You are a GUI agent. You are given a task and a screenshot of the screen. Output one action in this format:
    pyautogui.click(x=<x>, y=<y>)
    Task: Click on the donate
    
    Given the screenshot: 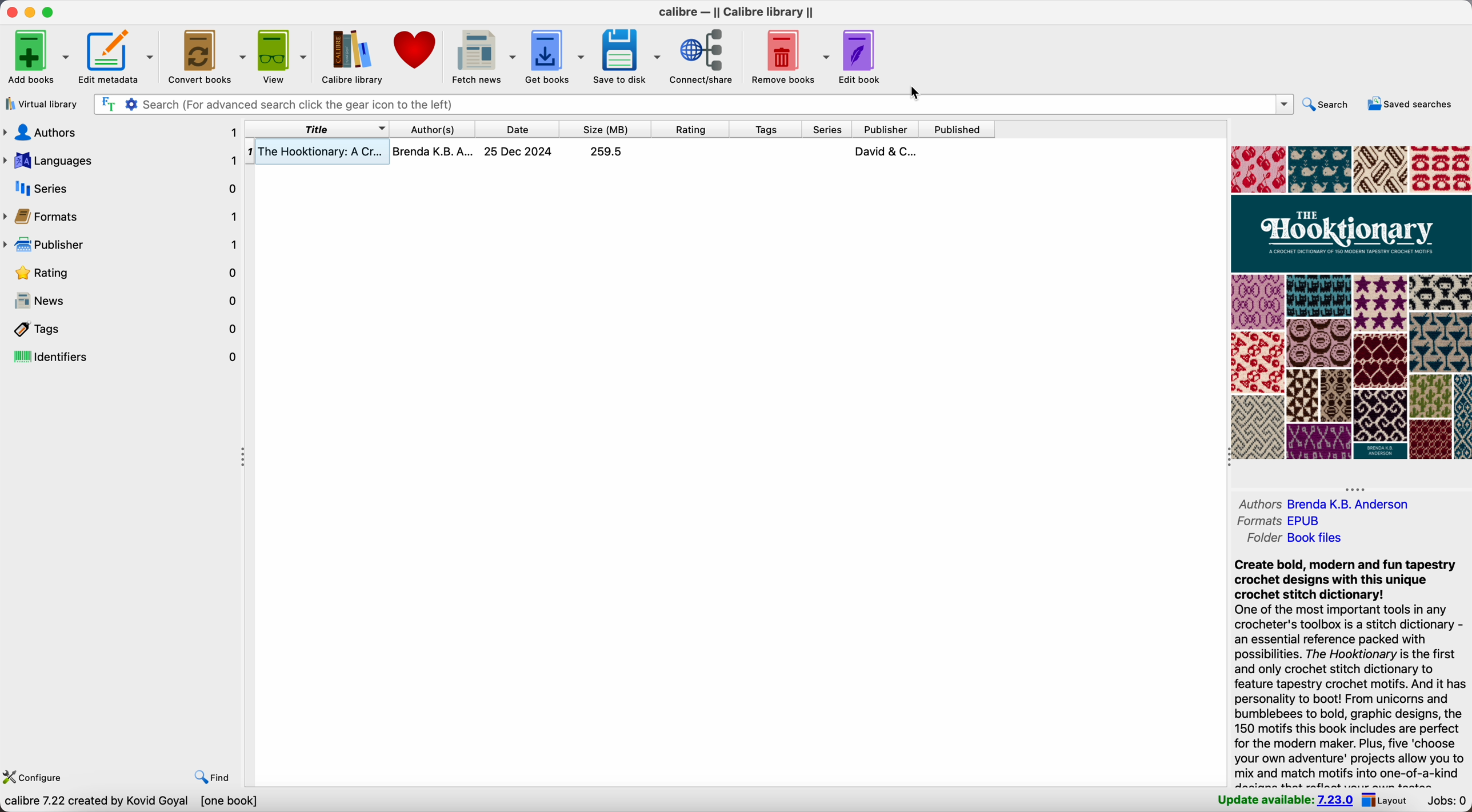 What is the action you would take?
    pyautogui.click(x=418, y=51)
    